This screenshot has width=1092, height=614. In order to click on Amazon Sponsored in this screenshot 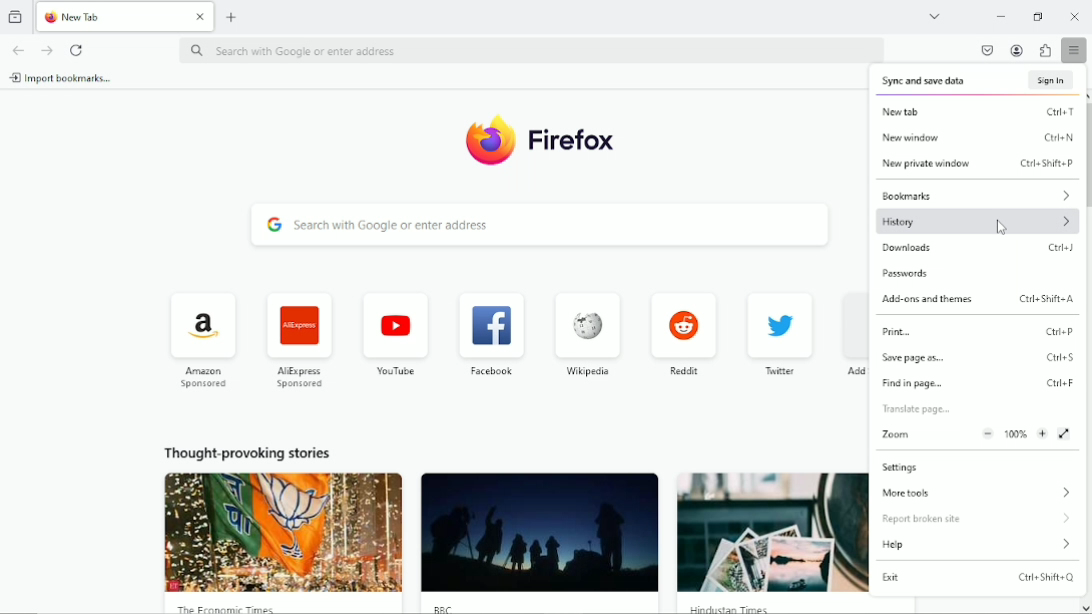, I will do `click(206, 339)`.